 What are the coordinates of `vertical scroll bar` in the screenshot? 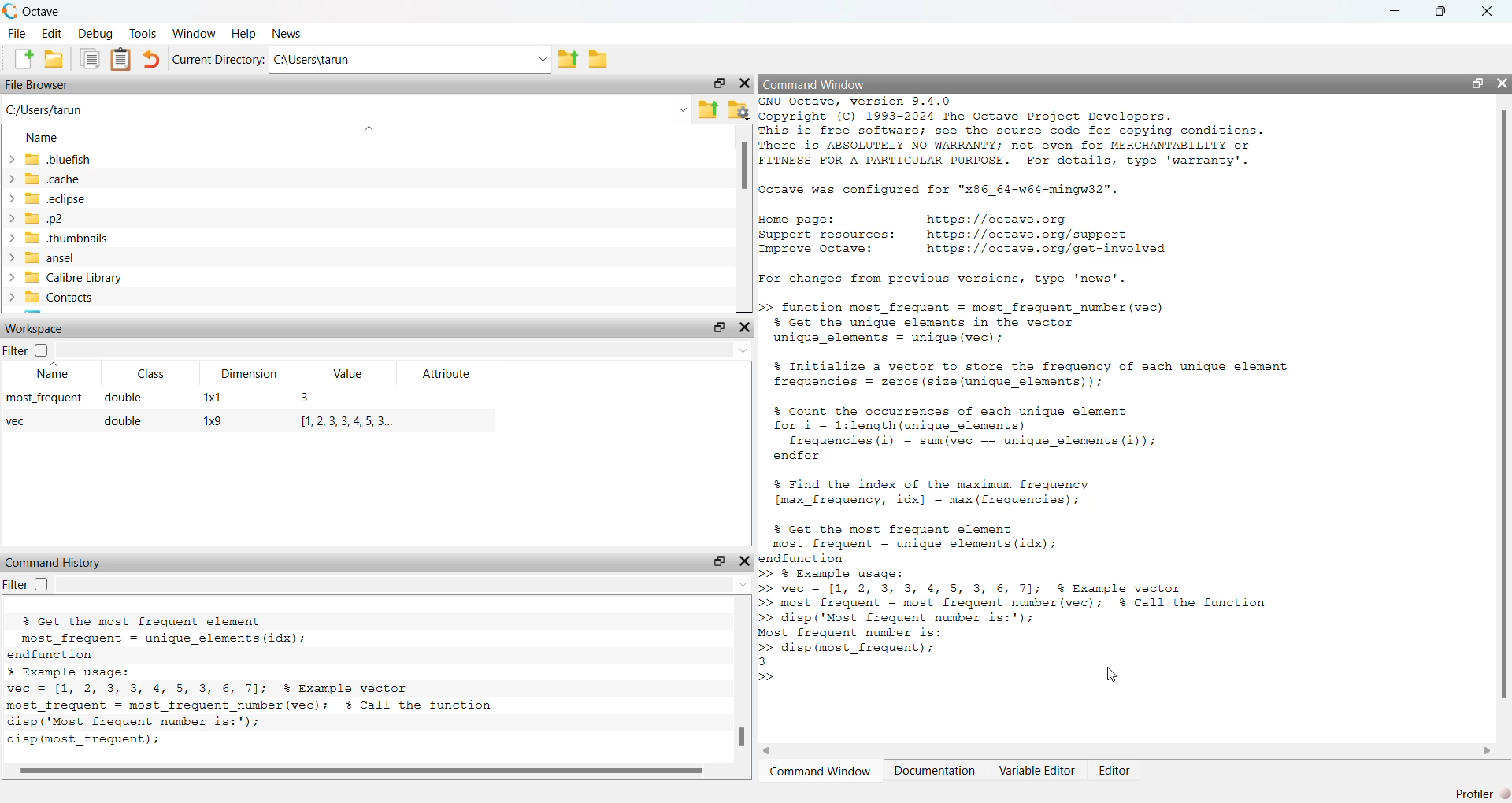 It's located at (744, 219).